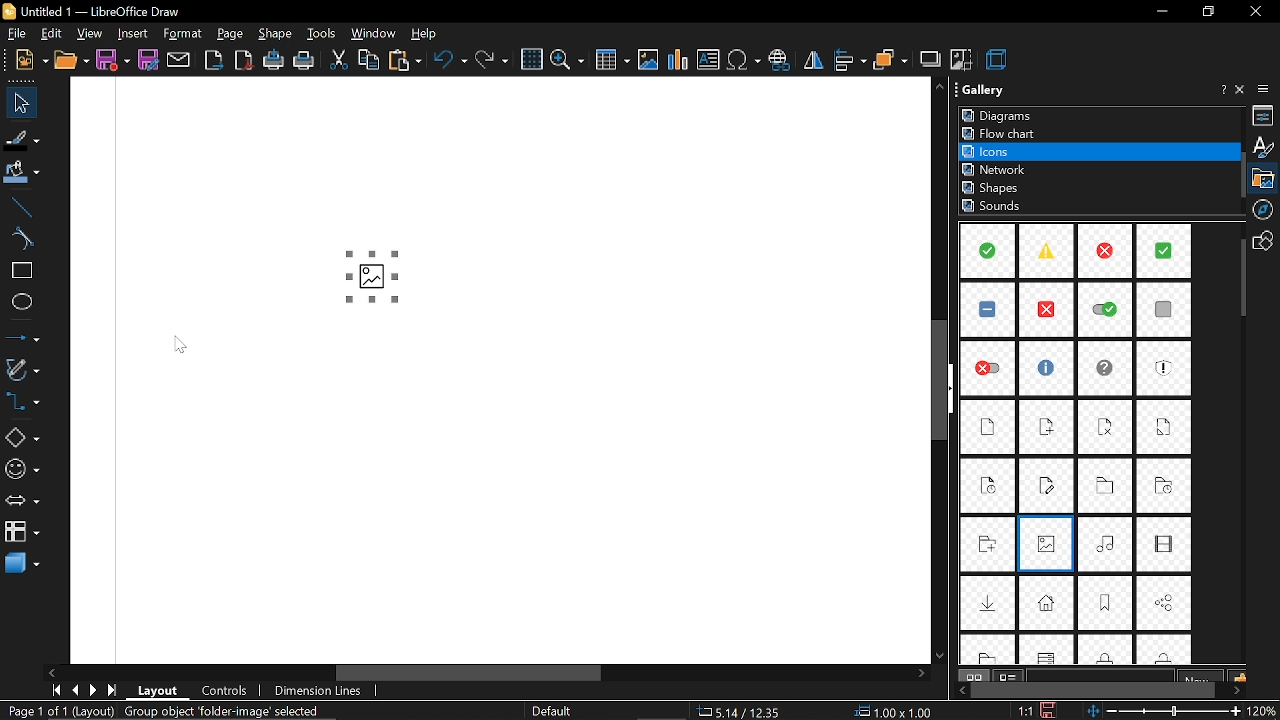  Describe the element at coordinates (18, 304) in the screenshot. I see `ellipse` at that location.